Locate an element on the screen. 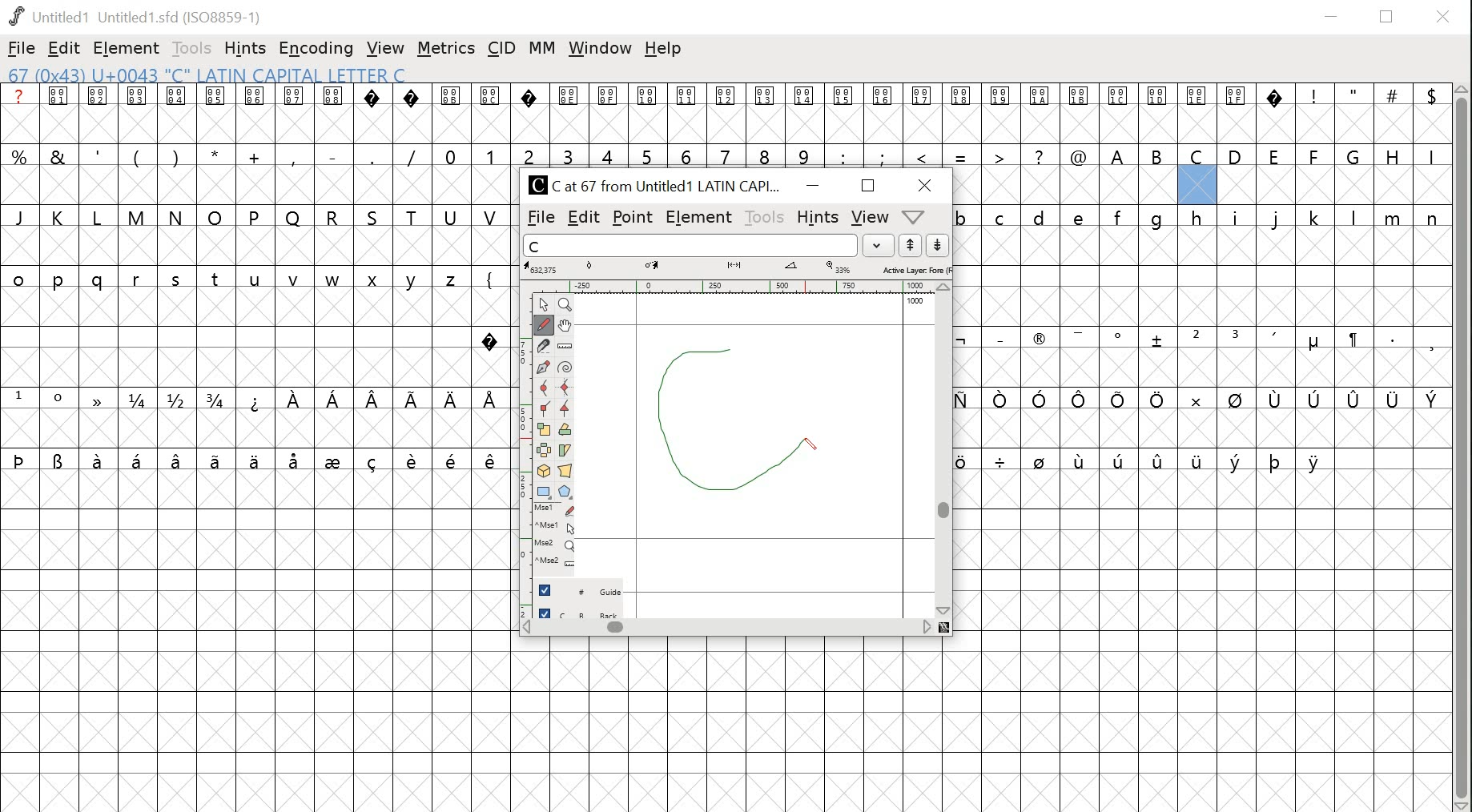  mouse left button + Ctrl is located at coordinates (557, 529).